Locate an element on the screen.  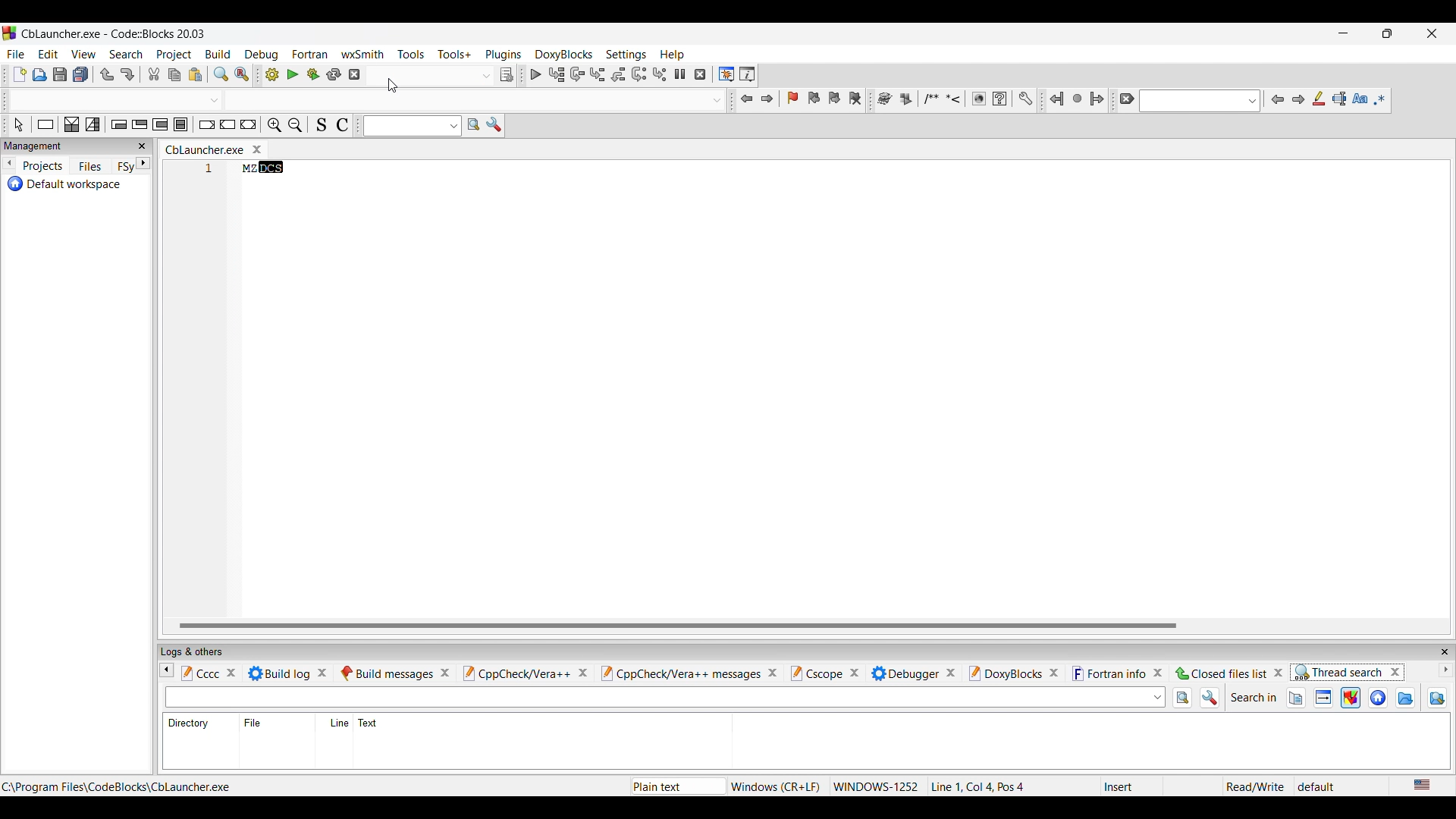
Abort is located at coordinates (354, 74).